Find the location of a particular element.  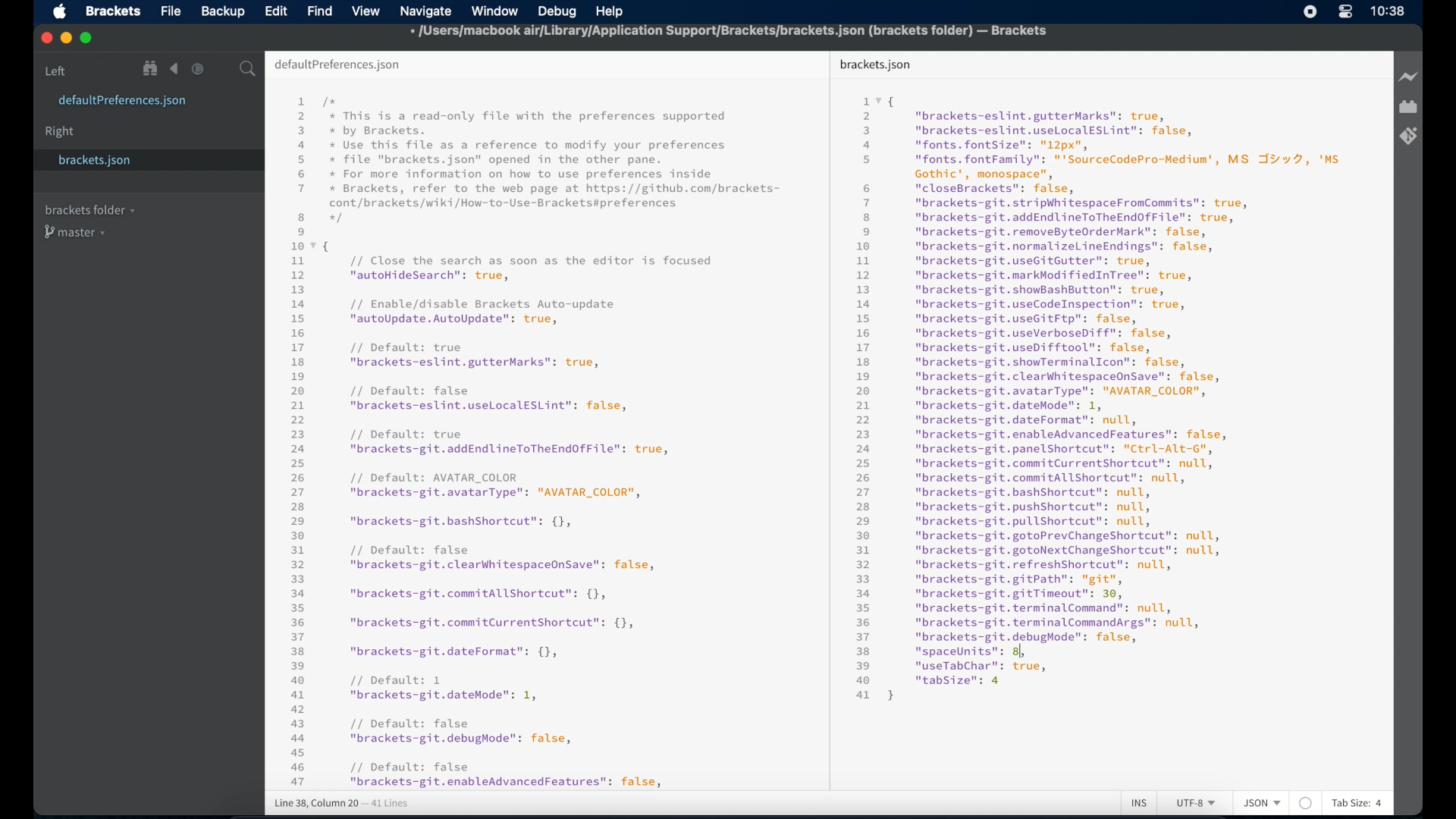

no linter available for json is located at coordinates (1306, 804).